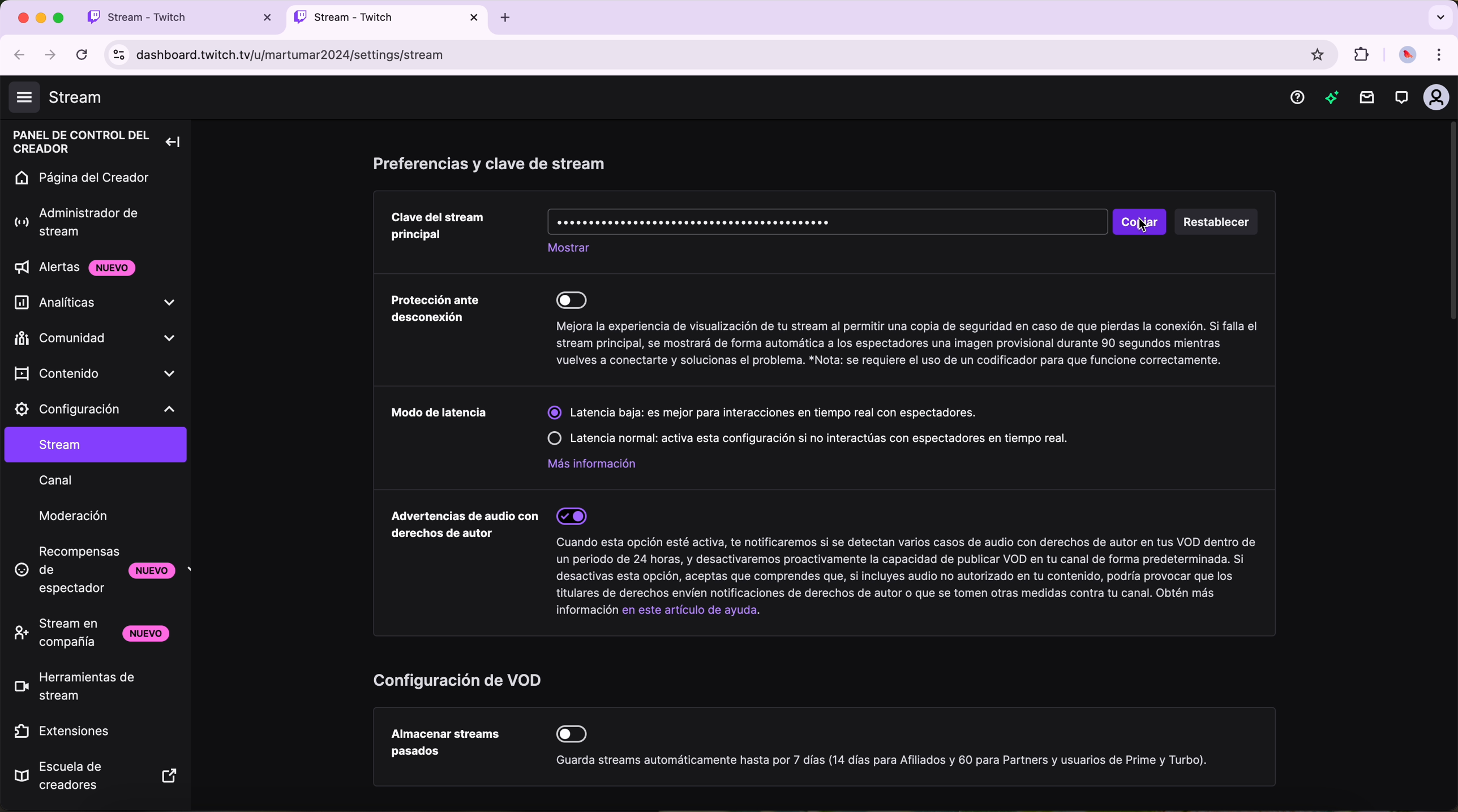  What do you see at coordinates (438, 227) in the screenshot?
I see `primary stream key` at bounding box center [438, 227].